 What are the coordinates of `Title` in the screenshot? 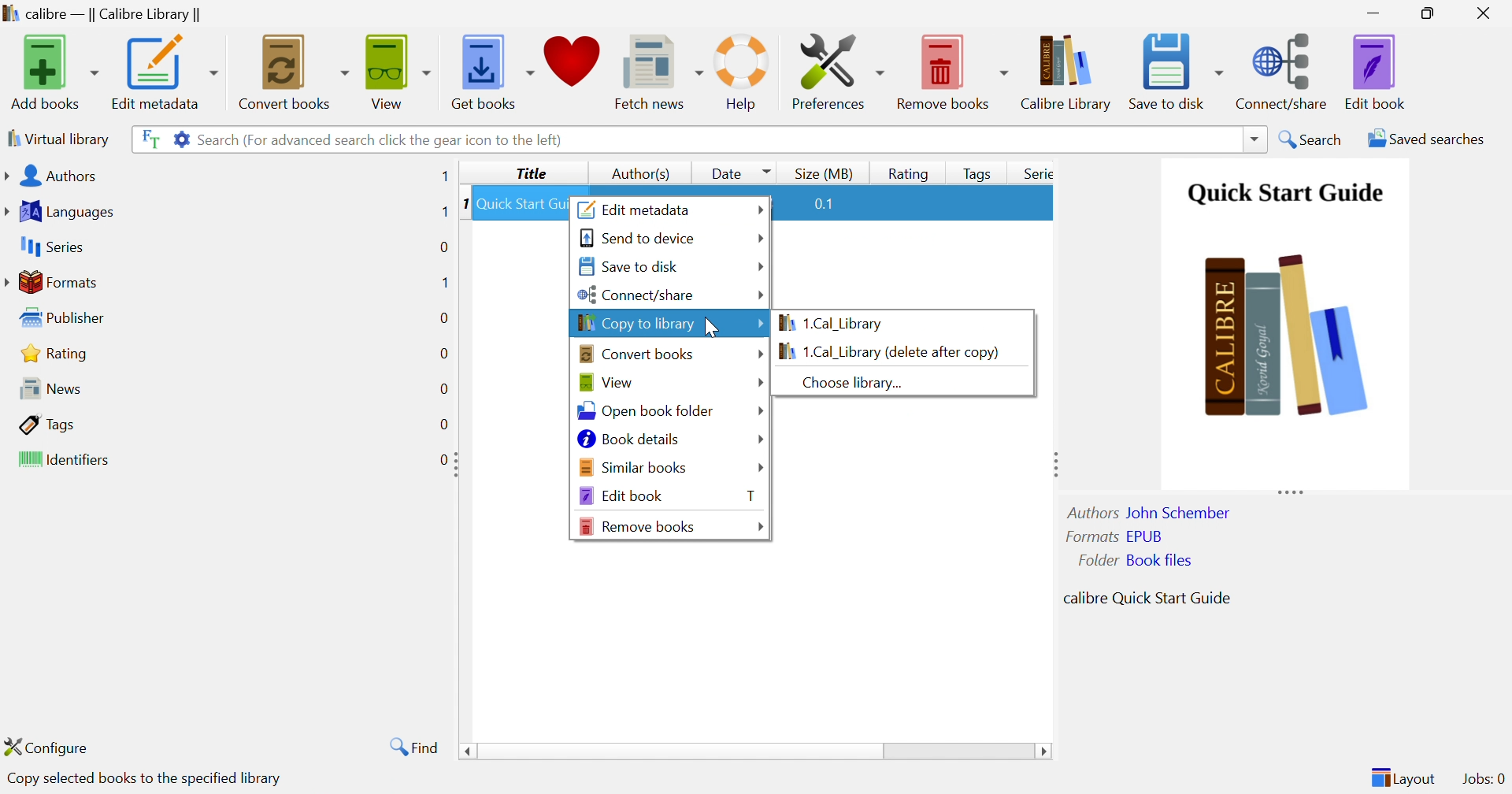 It's located at (529, 174).